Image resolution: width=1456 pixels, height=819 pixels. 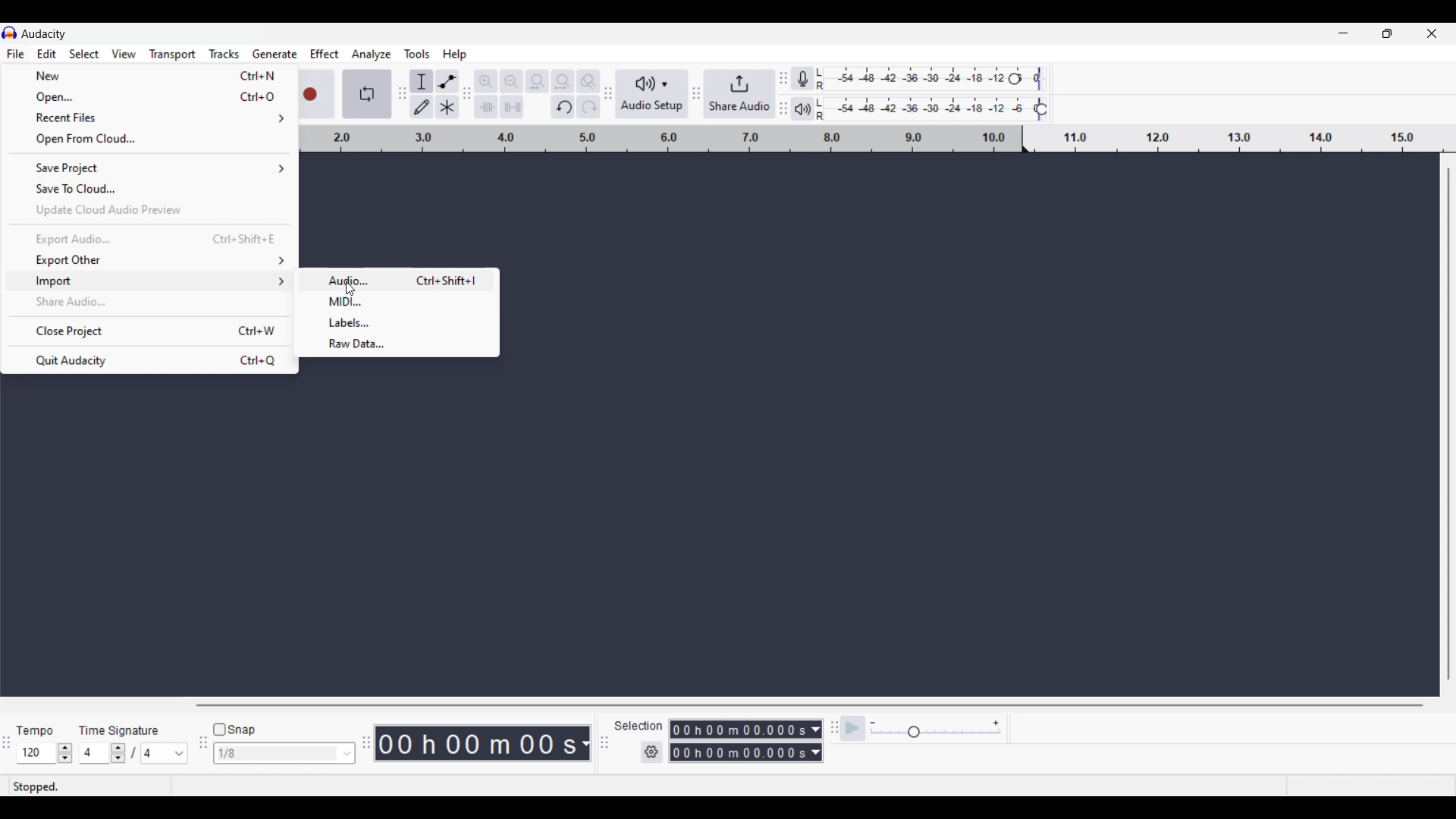 What do you see at coordinates (225, 54) in the screenshot?
I see `Tracks menu` at bounding box center [225, 54].